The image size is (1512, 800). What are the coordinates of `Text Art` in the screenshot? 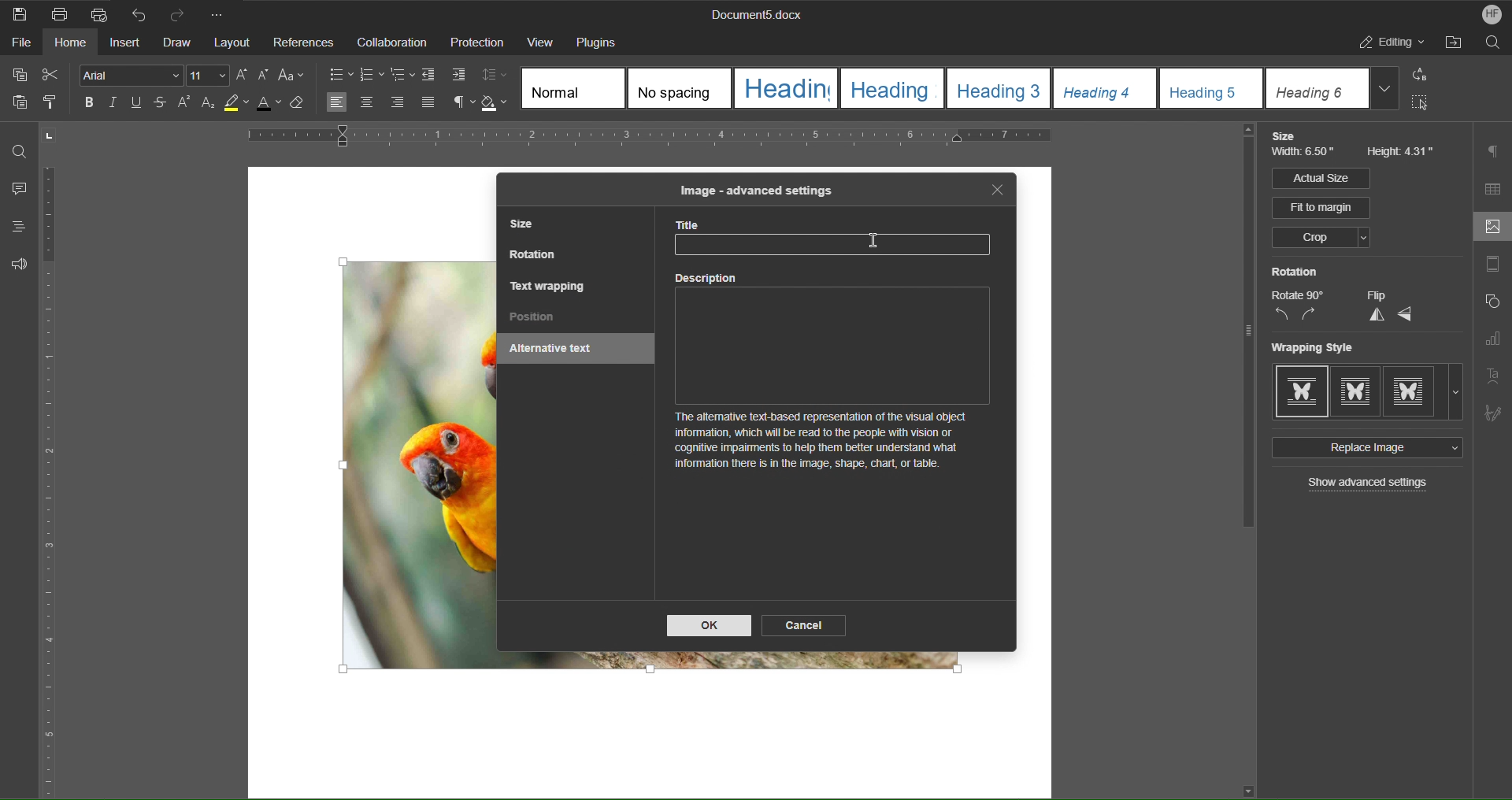 It's located at (1495, 375).